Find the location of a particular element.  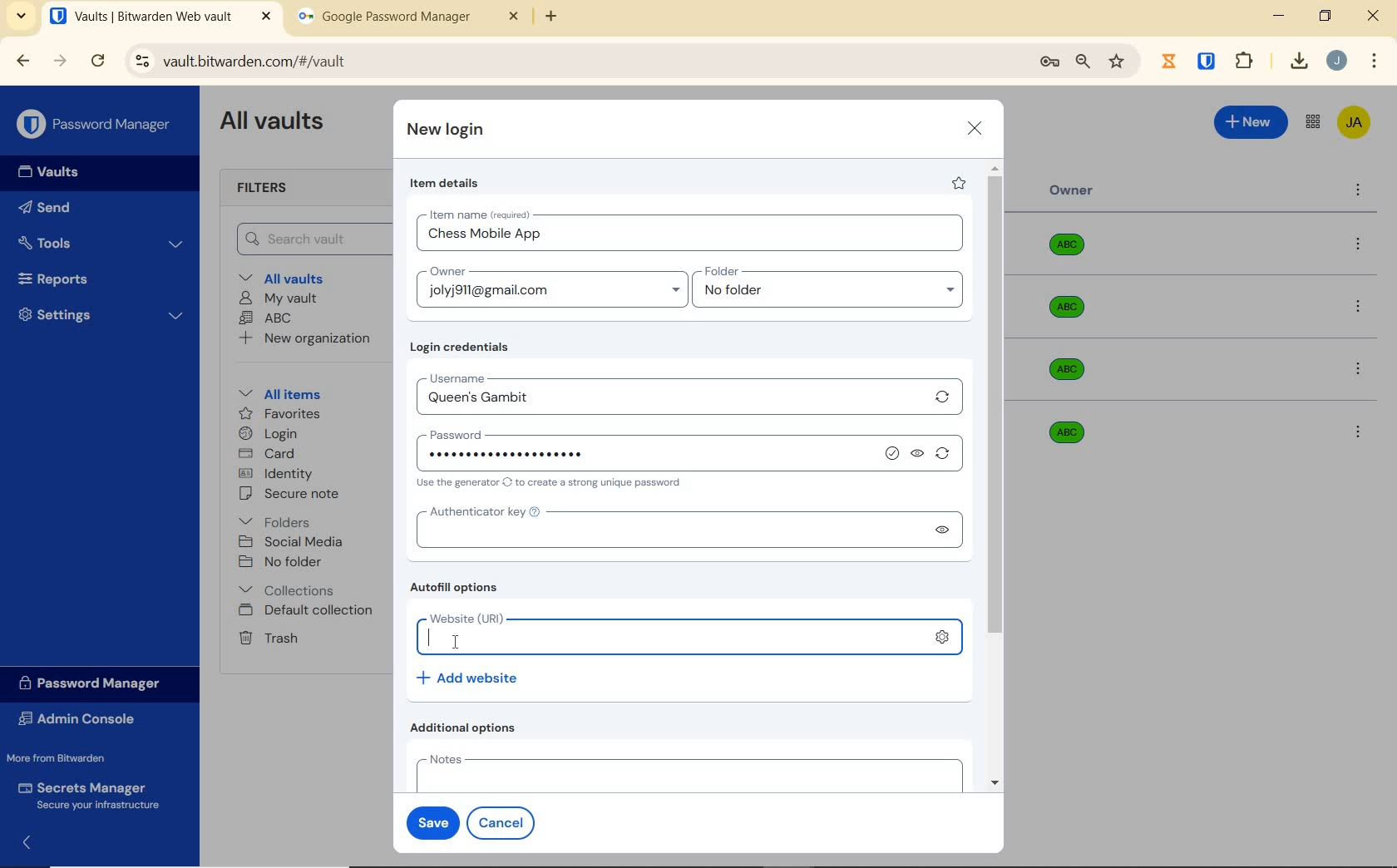

login name is located at coordinates (692, 238).